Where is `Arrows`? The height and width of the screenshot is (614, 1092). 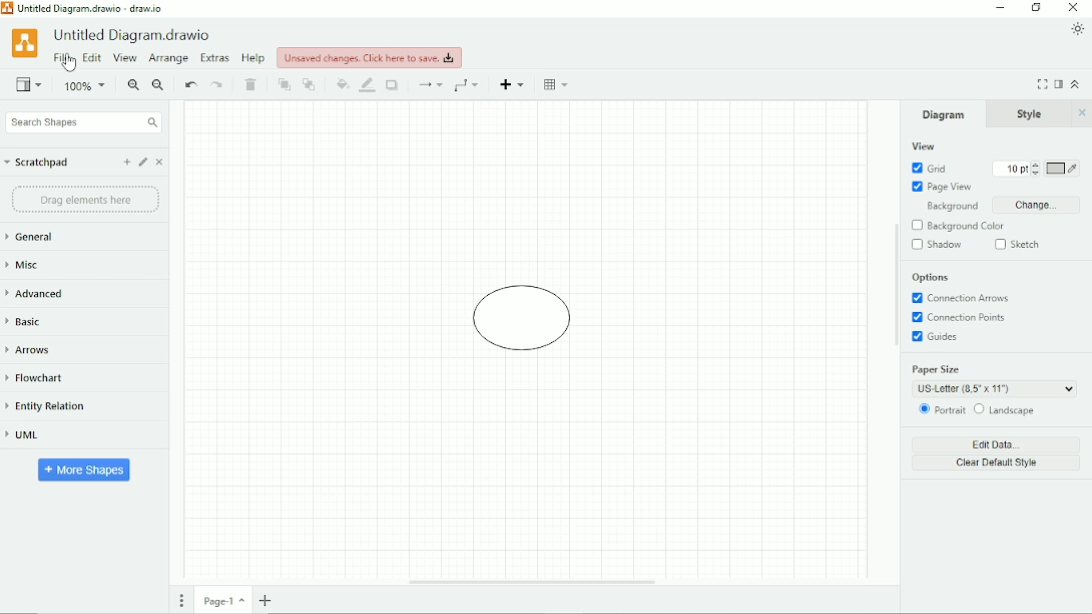
Arrows is located at coordinates (35, 352).